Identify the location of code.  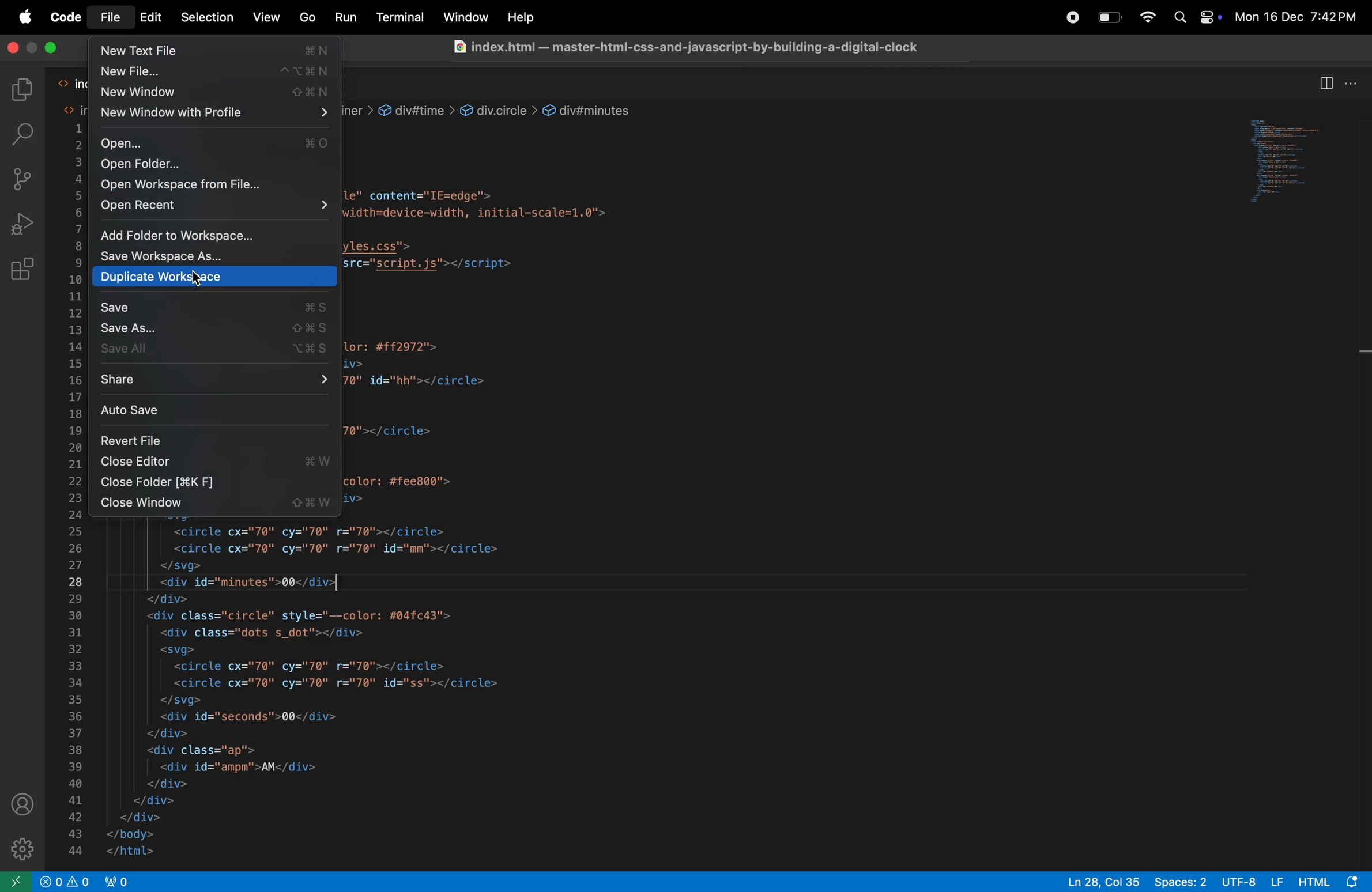
(66, 17).